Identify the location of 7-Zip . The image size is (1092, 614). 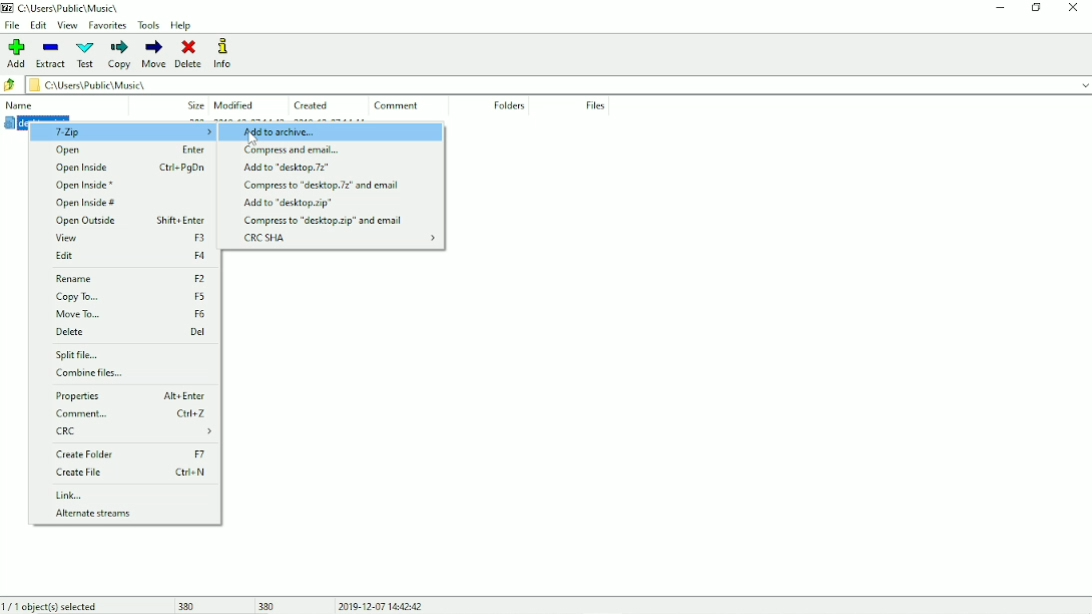
(122, 135).